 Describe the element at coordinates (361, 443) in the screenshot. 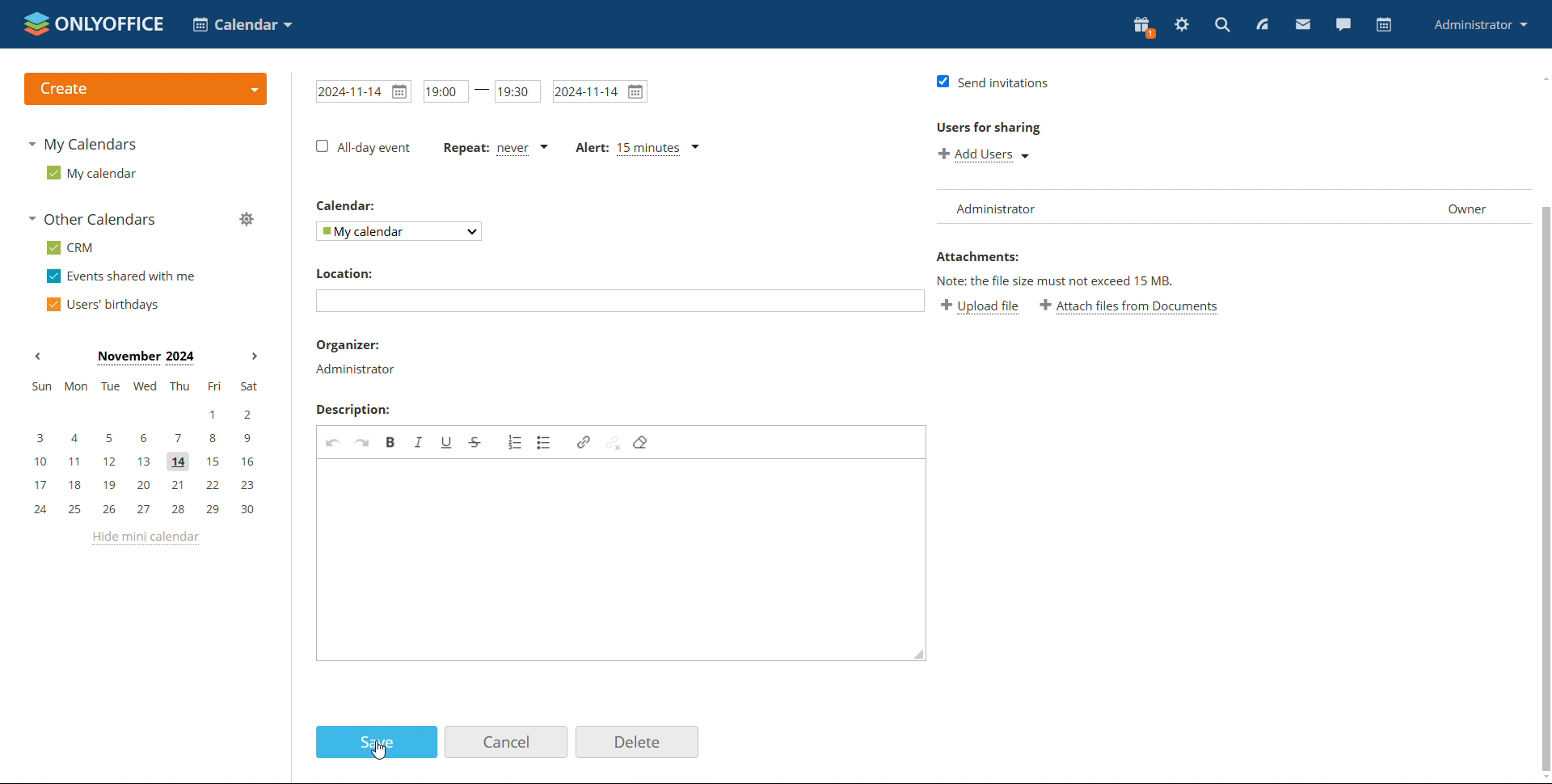

I see `redo` at that location.